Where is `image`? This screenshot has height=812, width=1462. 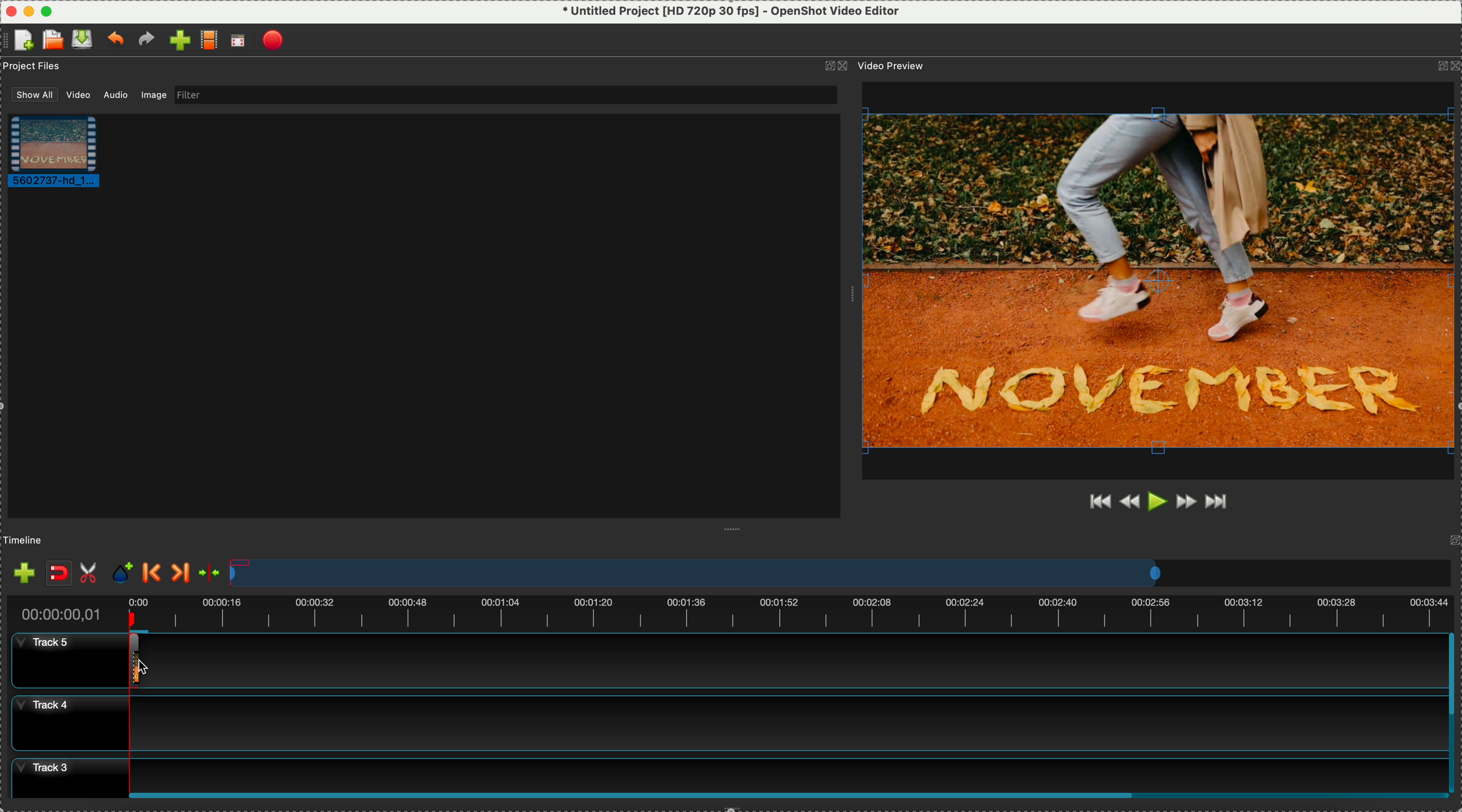 image is located at coordinates (156, 96).